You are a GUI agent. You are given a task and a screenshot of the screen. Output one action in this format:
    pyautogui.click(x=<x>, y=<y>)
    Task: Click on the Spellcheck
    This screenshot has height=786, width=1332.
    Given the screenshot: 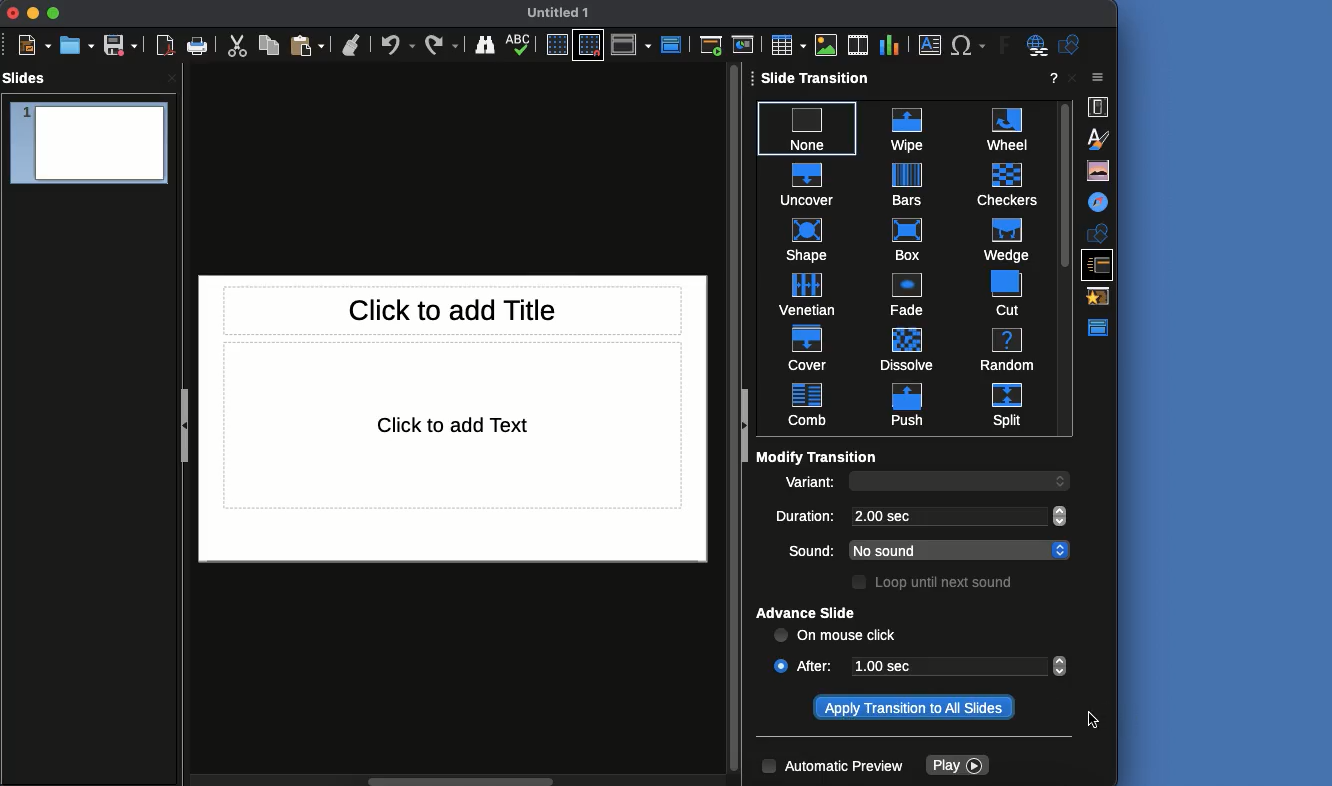 What is the action you would take?
    pyautogui.click(x=520, y=44)
    